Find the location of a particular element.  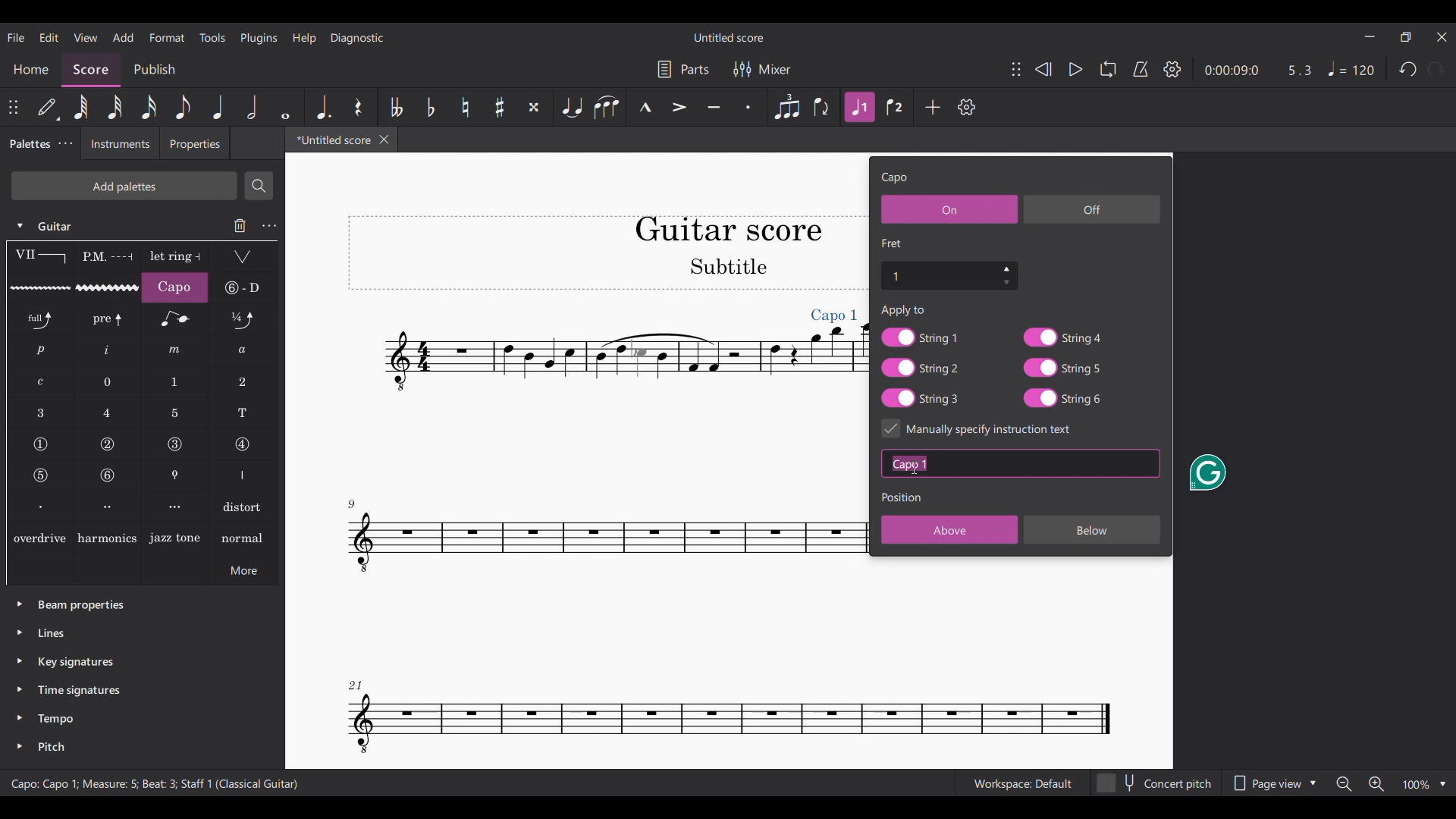

String tunings is located at coordinates (243, 287).